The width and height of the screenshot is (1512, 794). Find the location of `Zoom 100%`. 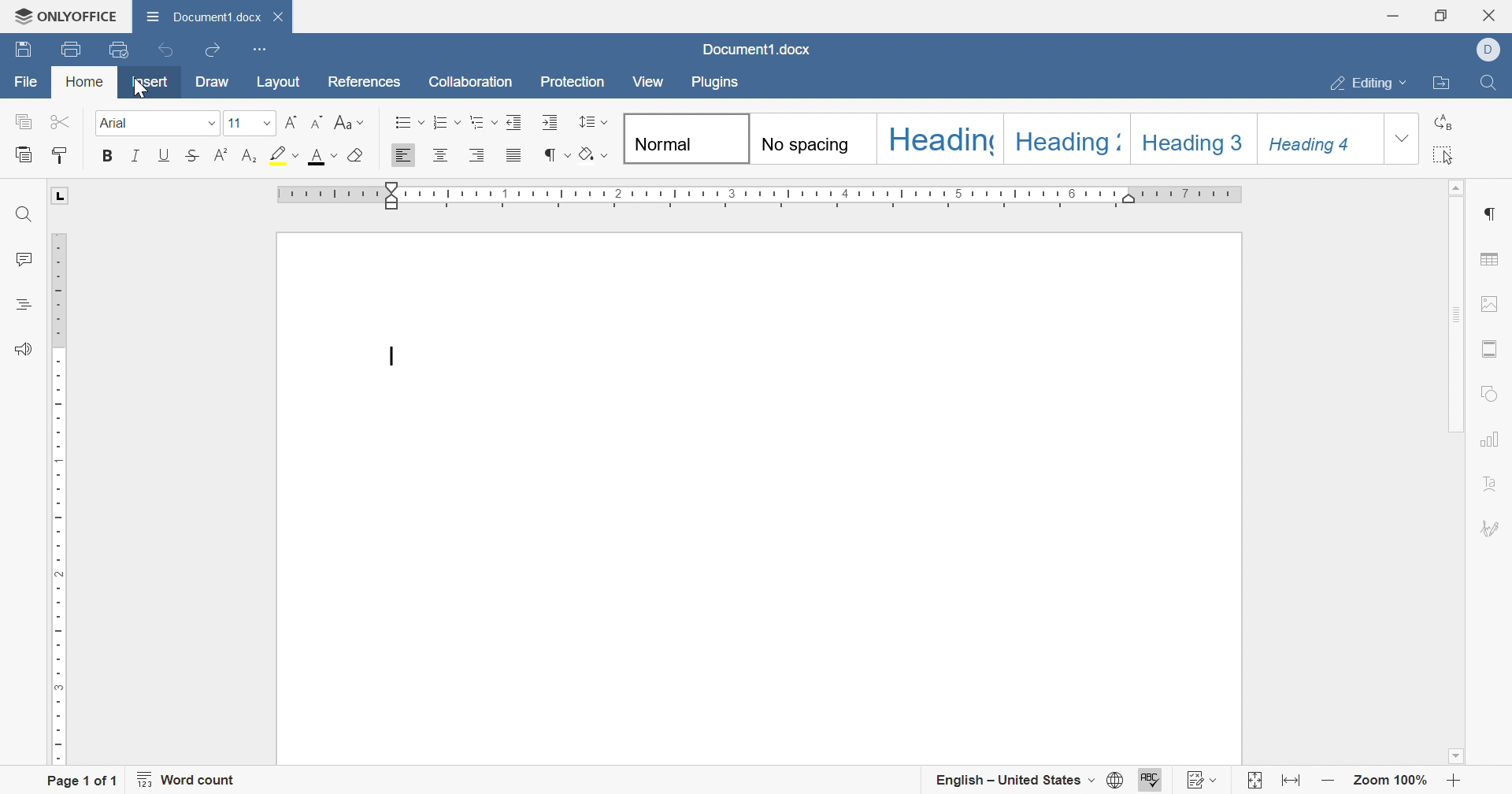

Zoom 100% is located at coordinates (1392, 779).